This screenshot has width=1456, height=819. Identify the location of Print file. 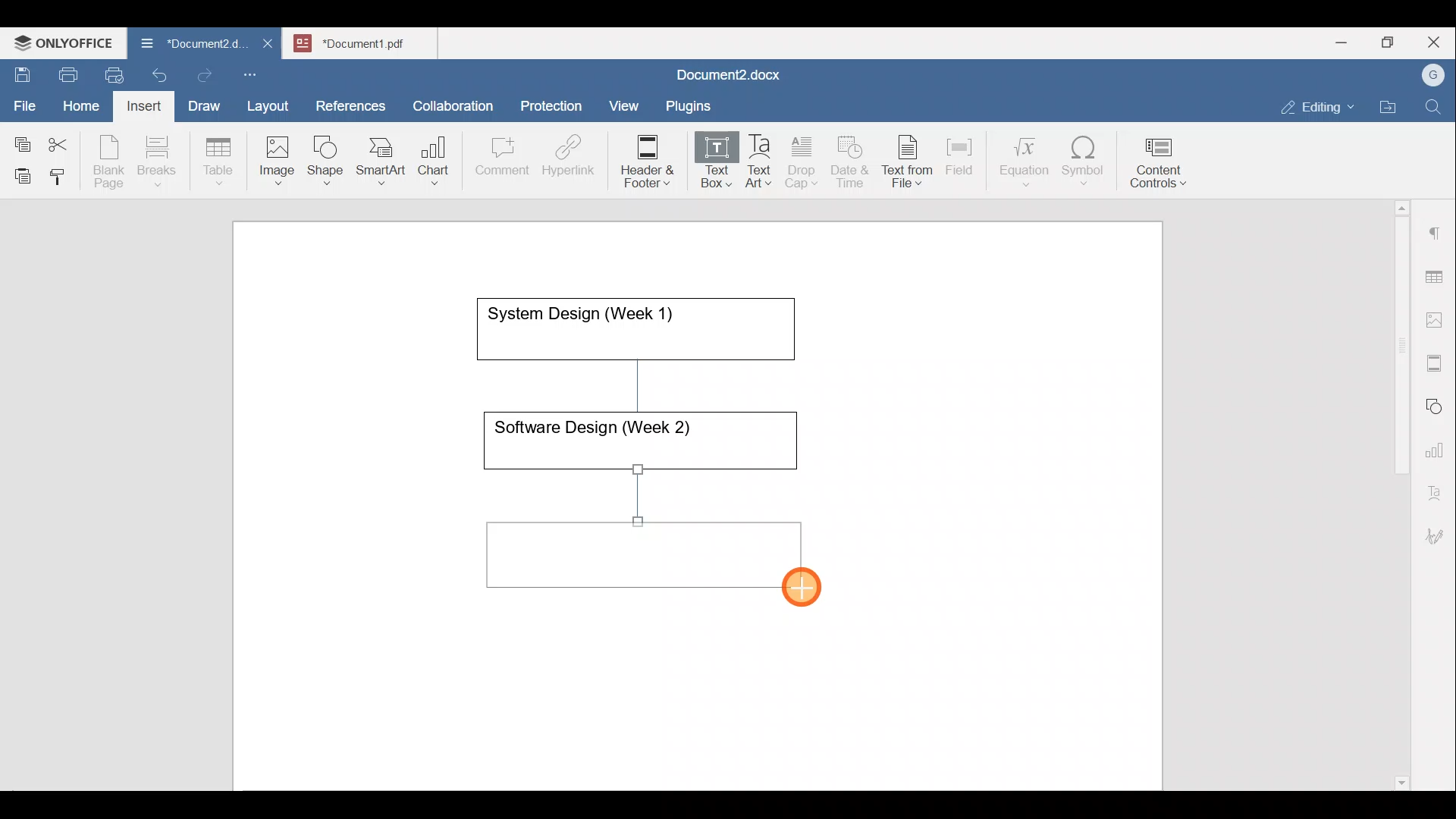
(65, 72).